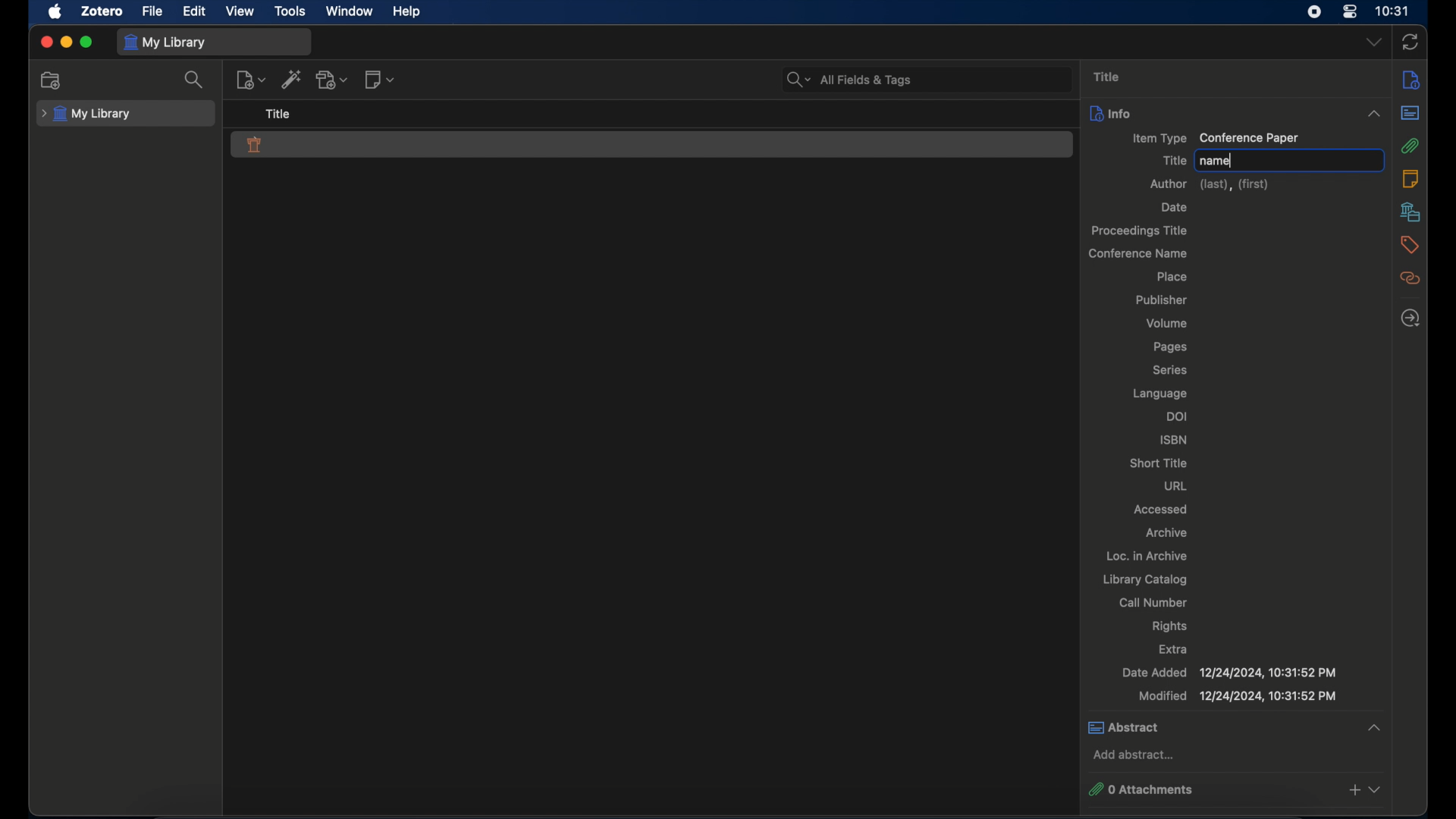 This screenshot has width=1456, height=819. I want to click on modified, so click(1239, 696).